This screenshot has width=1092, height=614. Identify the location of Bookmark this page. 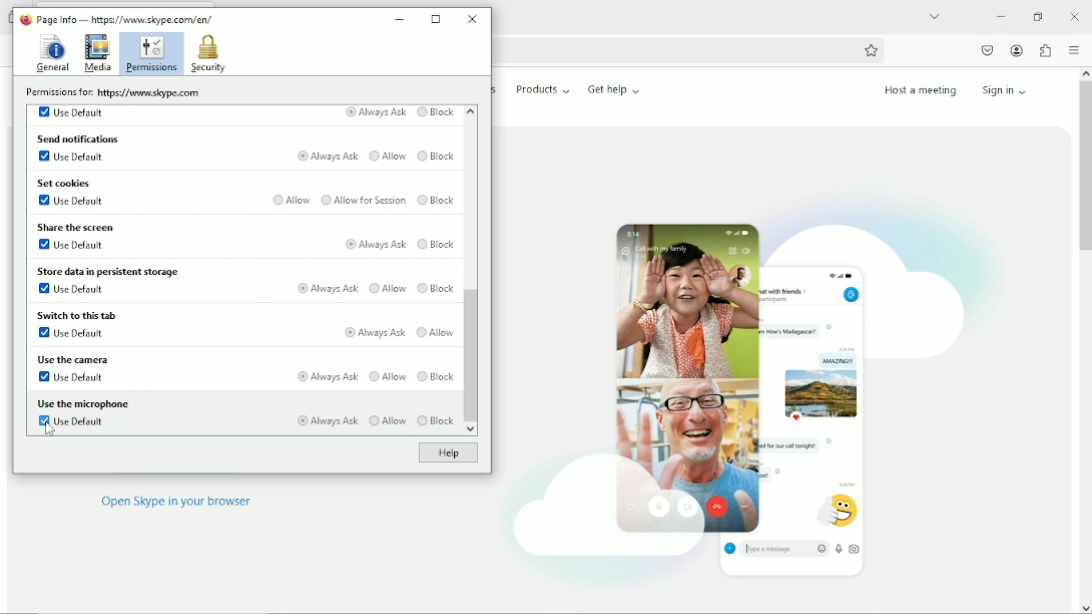
(871, 50).